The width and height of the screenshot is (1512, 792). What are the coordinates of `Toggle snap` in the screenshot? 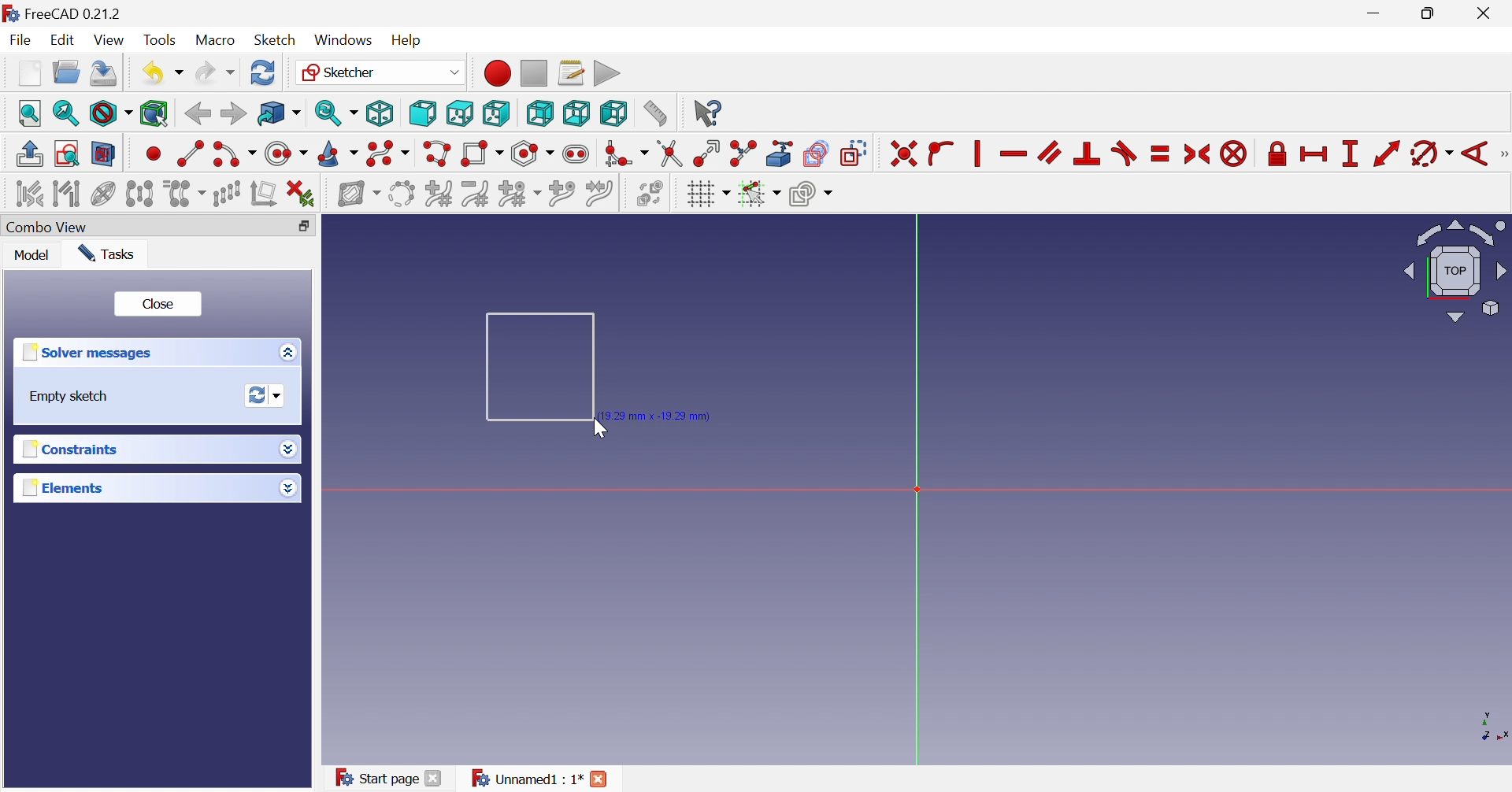 It's located at (758, 194).